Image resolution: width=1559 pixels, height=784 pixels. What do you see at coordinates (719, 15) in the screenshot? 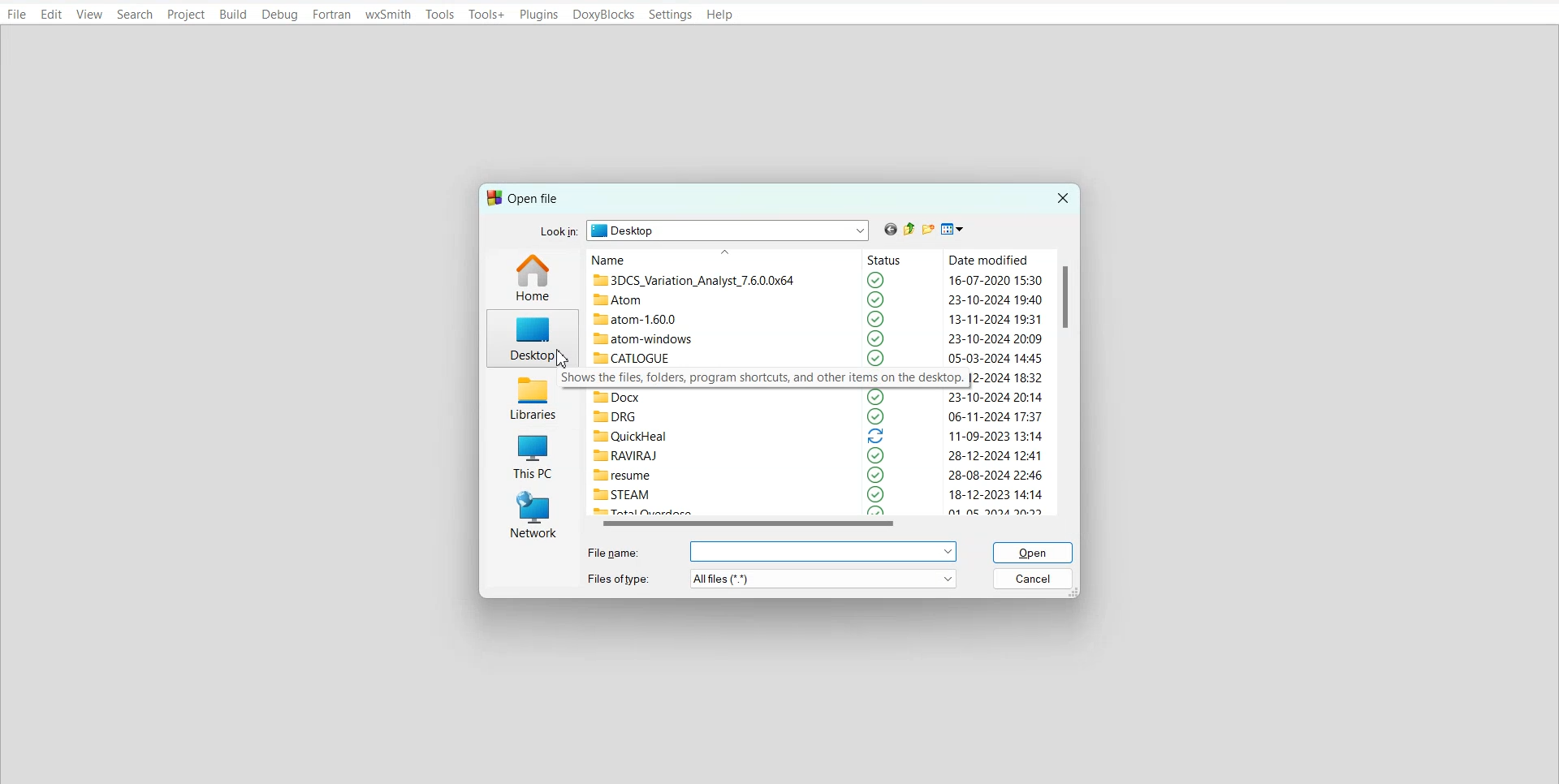
I see `Help` at bounding box center [719, 15].